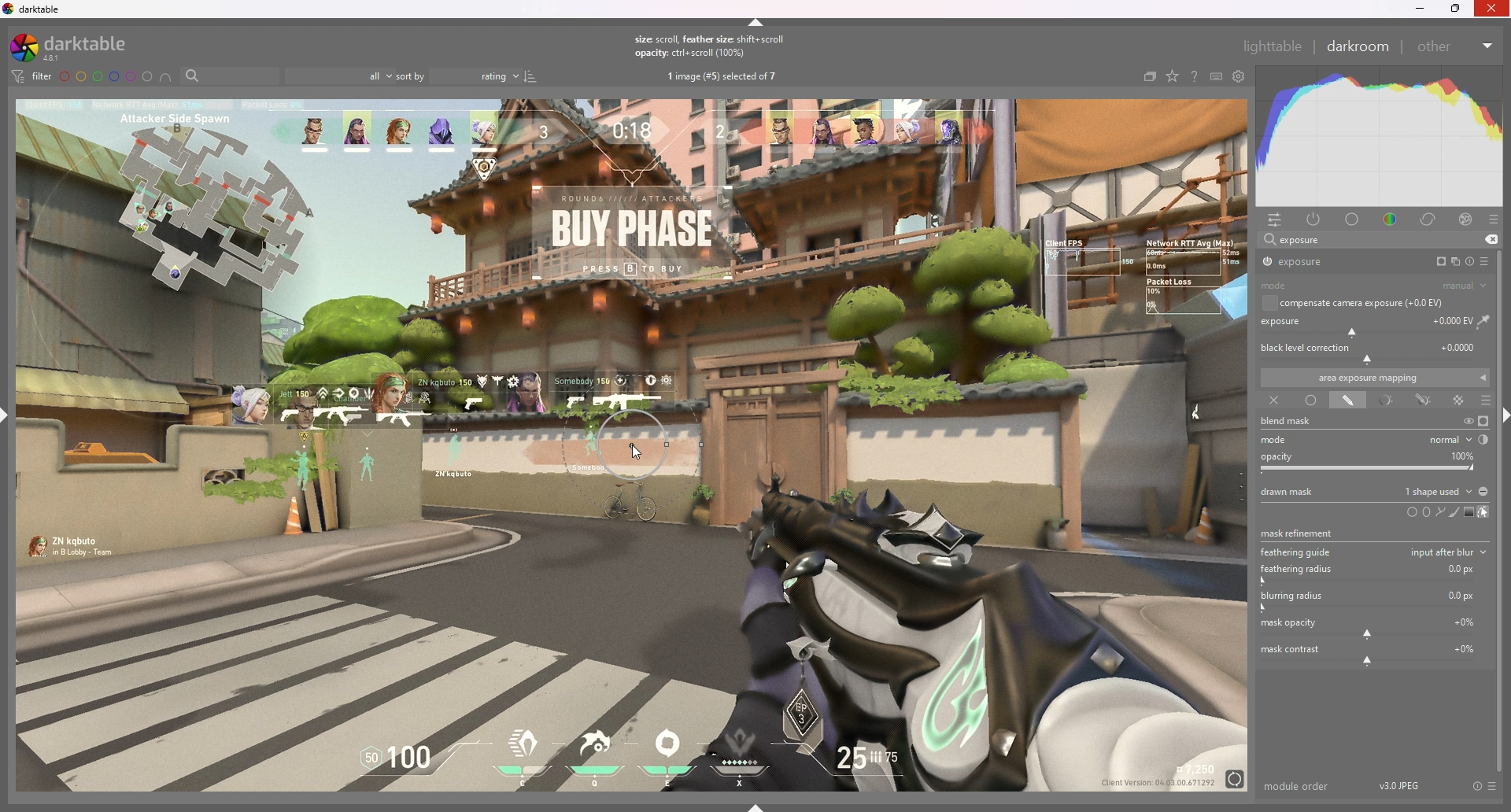  Describe the element at coordinates (1298, 786) in the screenshot. I see `module order` at that location.